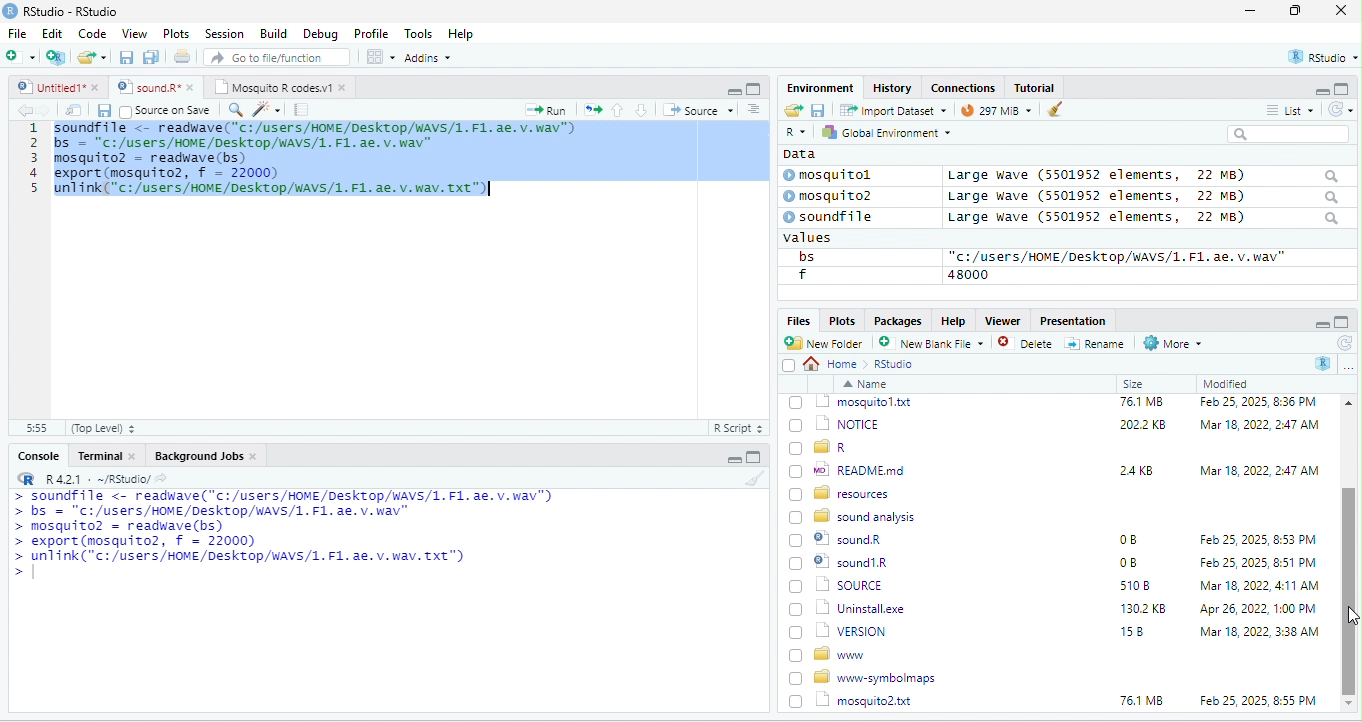  Describe the element at coordinates (895, 364) in the screenshot. I see `Rstudio` at that location.